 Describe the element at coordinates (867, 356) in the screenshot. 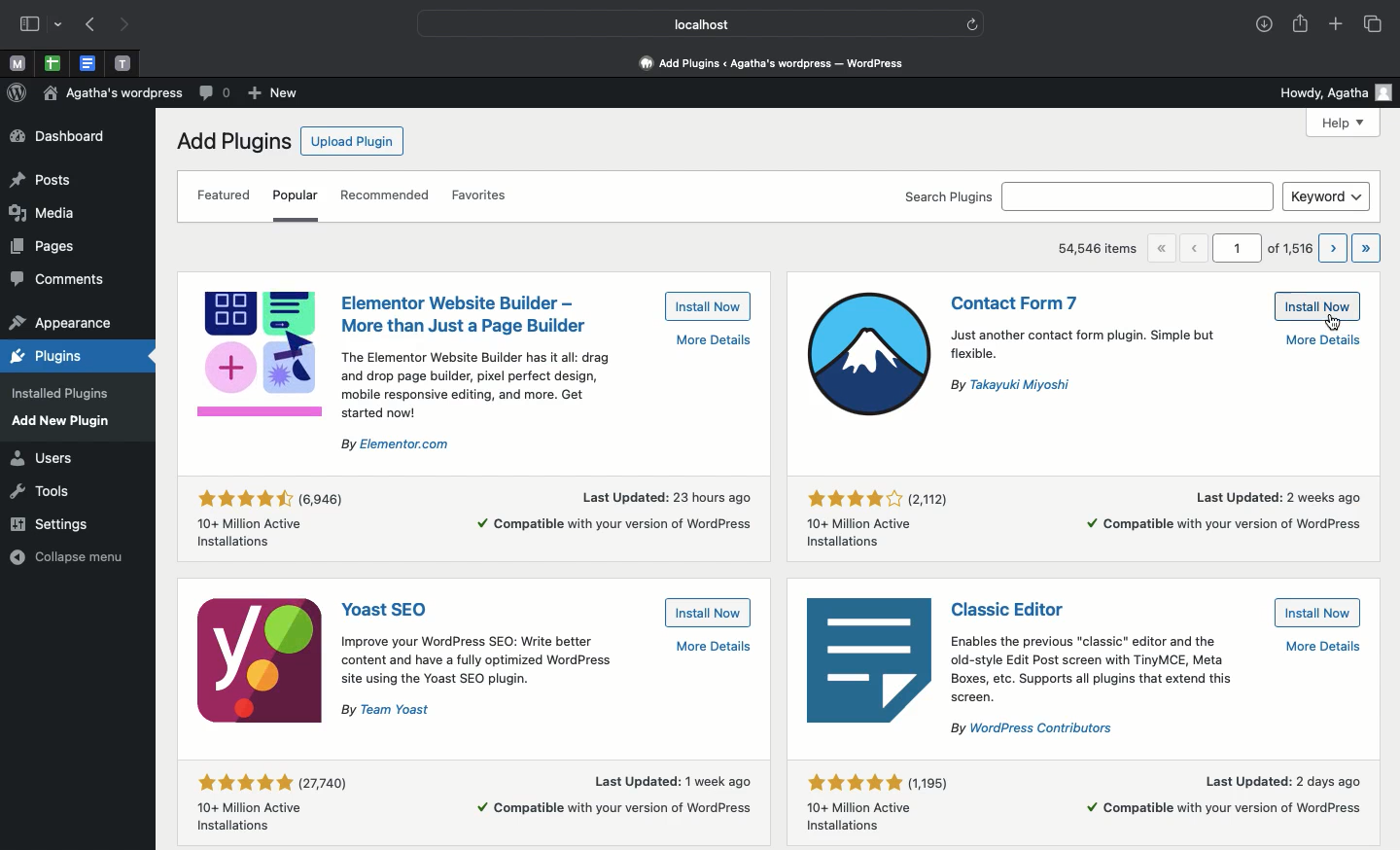

I see `Icon` at that location.